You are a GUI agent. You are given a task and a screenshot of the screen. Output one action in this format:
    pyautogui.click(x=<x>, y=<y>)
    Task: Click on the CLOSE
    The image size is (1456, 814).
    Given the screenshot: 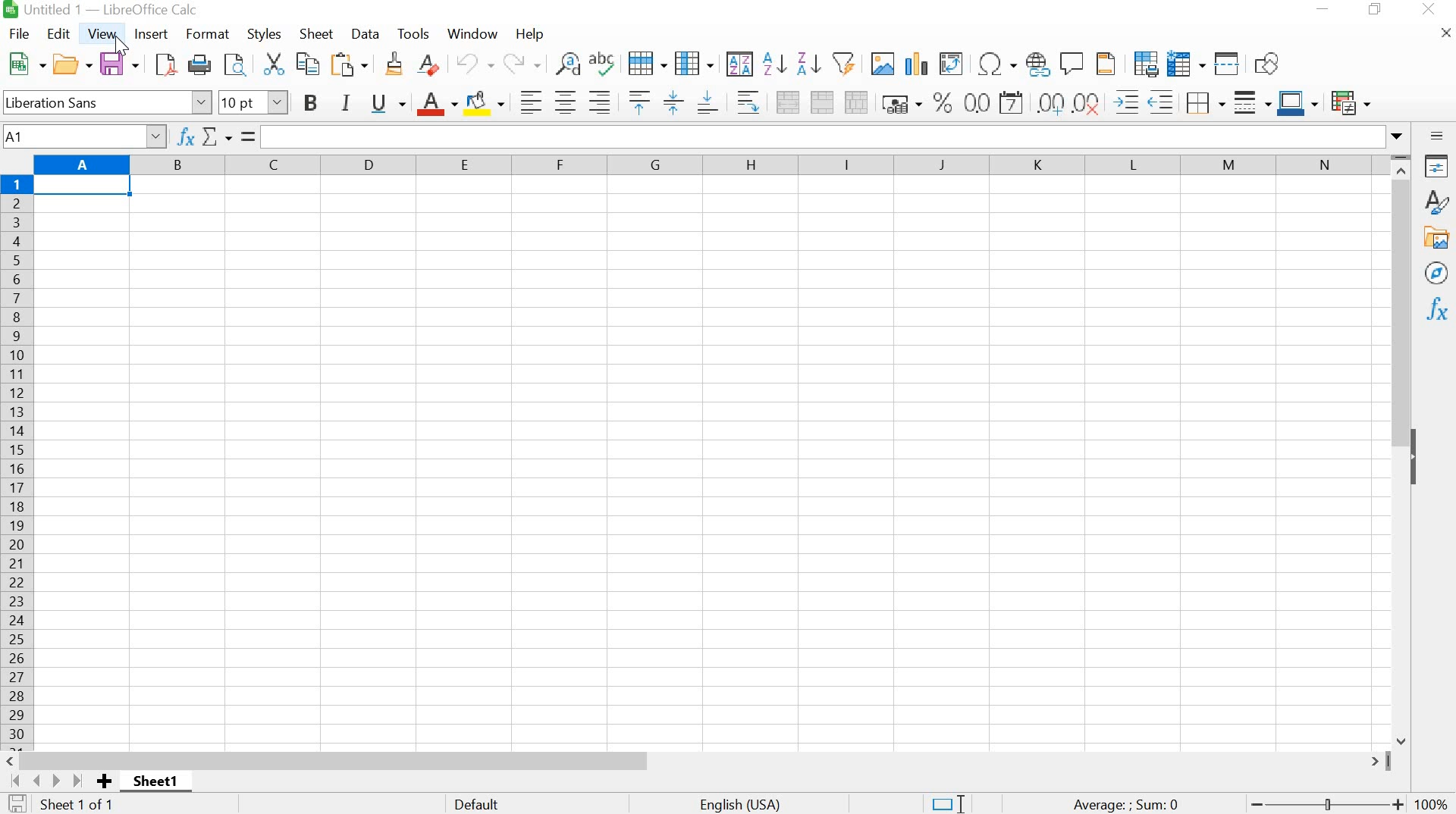 What is the action you would take?
    pyautogui.click(x=1429, y=11)
    